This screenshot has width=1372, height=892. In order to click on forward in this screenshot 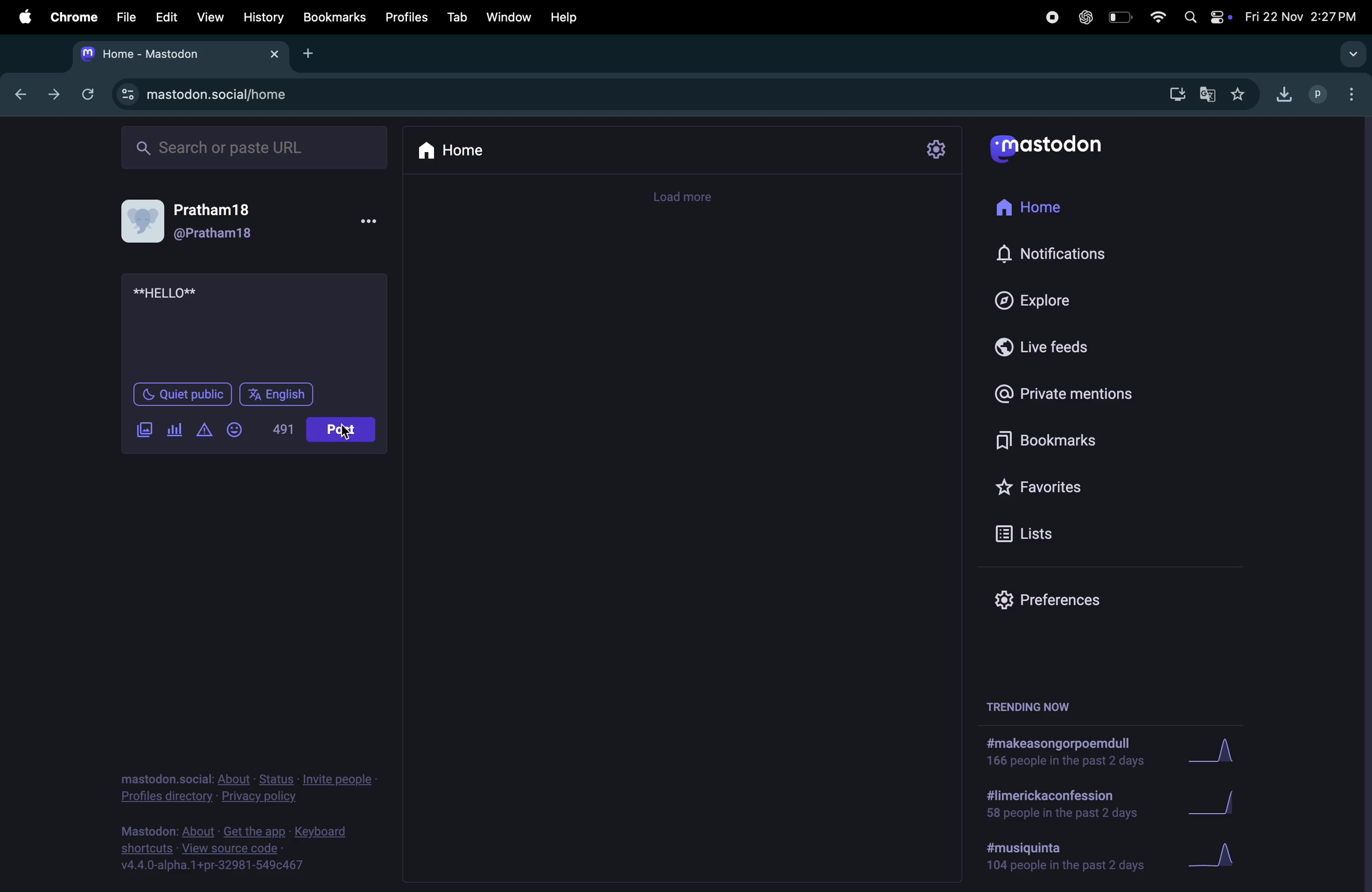, I will do `click(52, 95)`.